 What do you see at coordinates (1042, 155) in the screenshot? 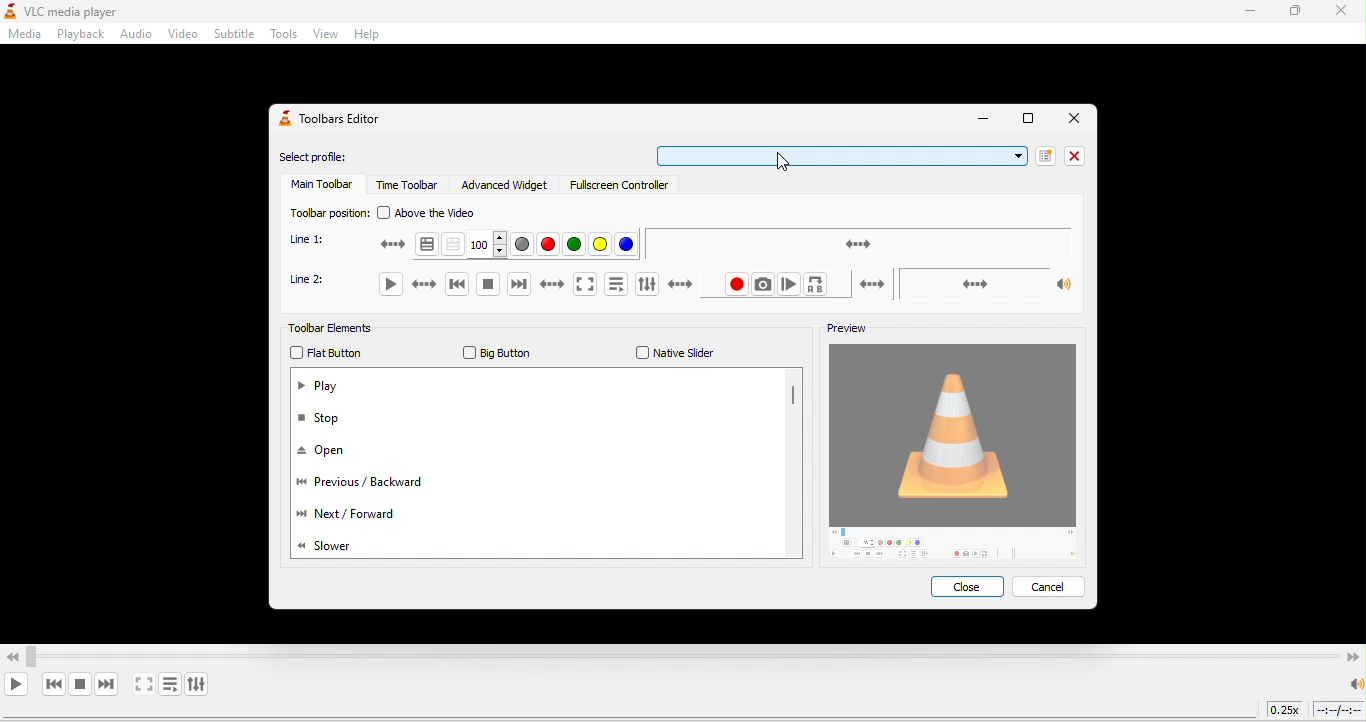
I see `new profile` at bounding box center [1042, 155].